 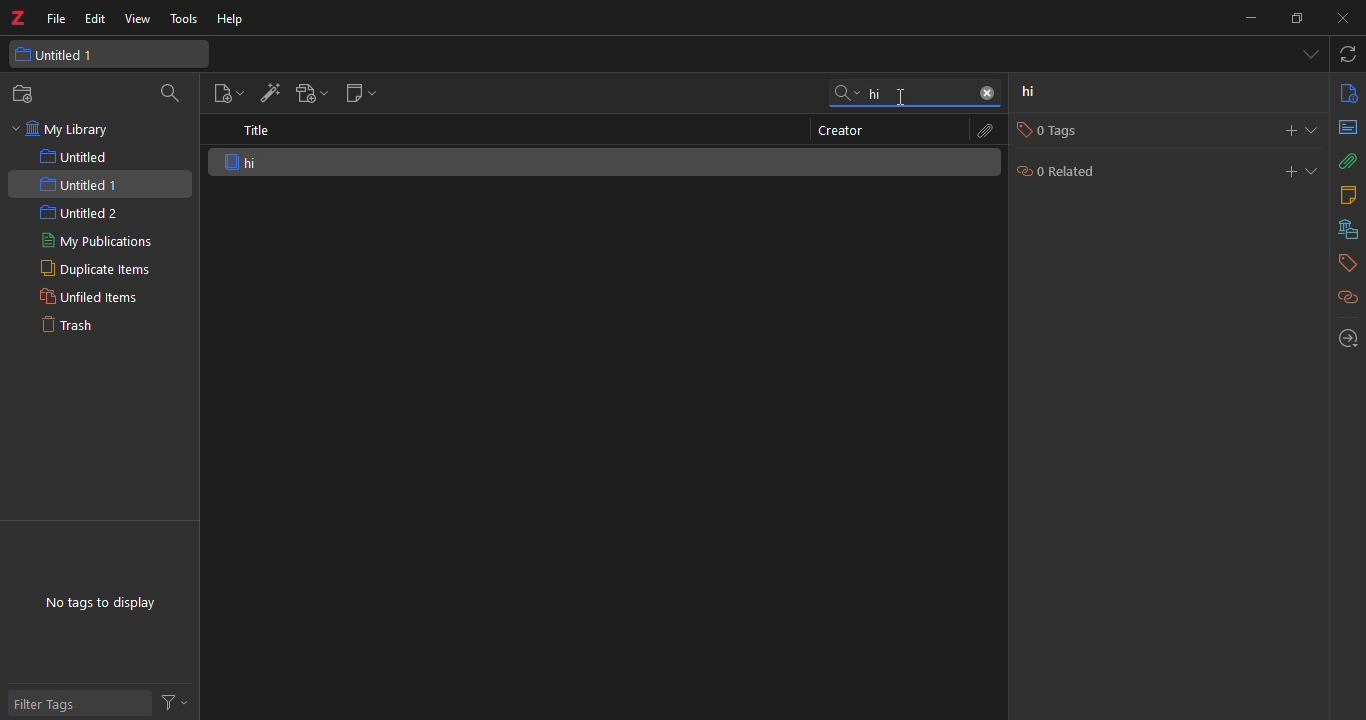 What do you see at coordinates (1281, 172) in the screenshot?
I see `add` at bounding box center [1281, 172].